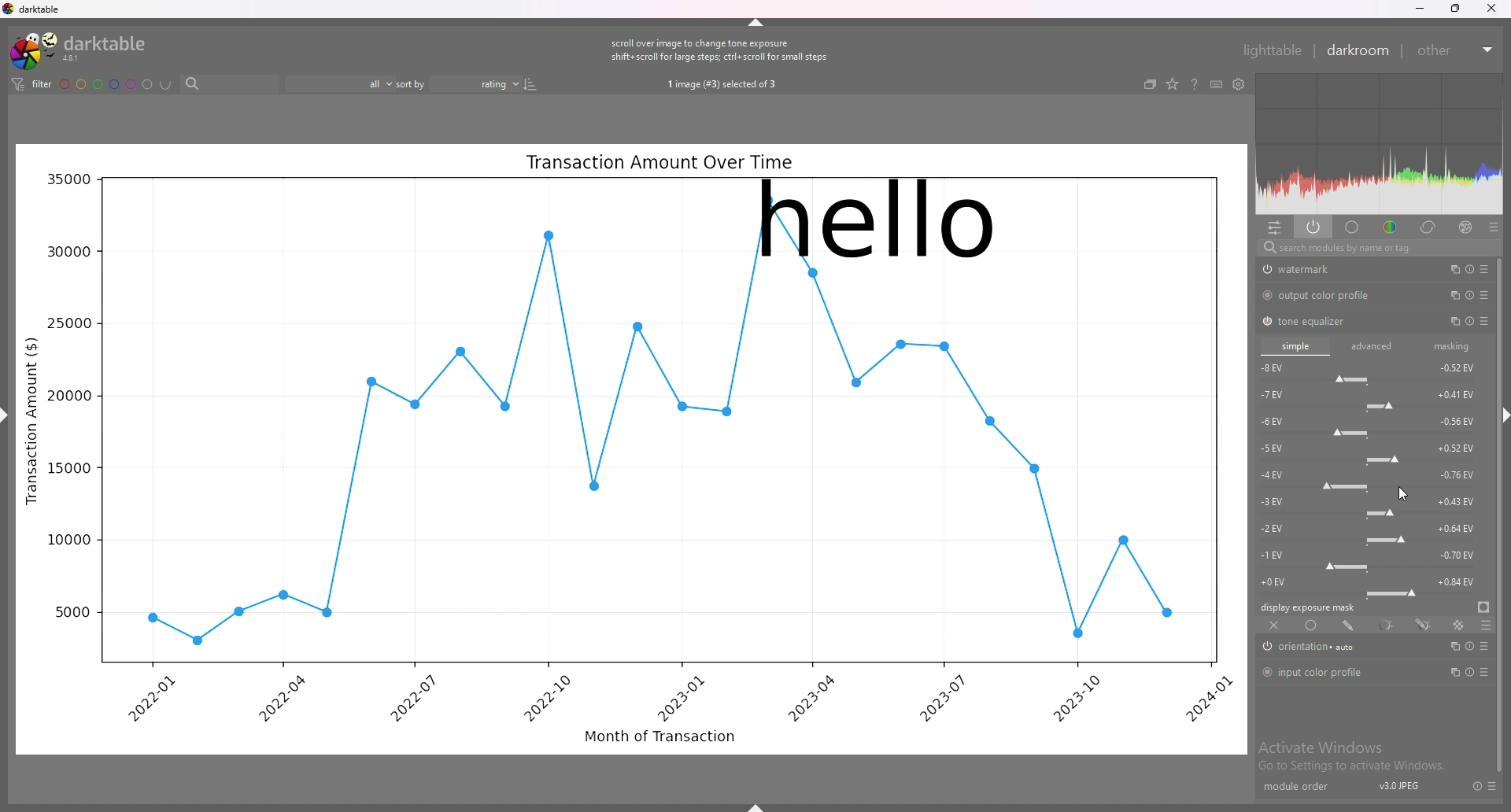 The height and width of the screenshot is (812, 1511). What do you see at coordinates (1385, 625) in the screenshot?
I see `parametric mask` at bounding box center [1385, 625].